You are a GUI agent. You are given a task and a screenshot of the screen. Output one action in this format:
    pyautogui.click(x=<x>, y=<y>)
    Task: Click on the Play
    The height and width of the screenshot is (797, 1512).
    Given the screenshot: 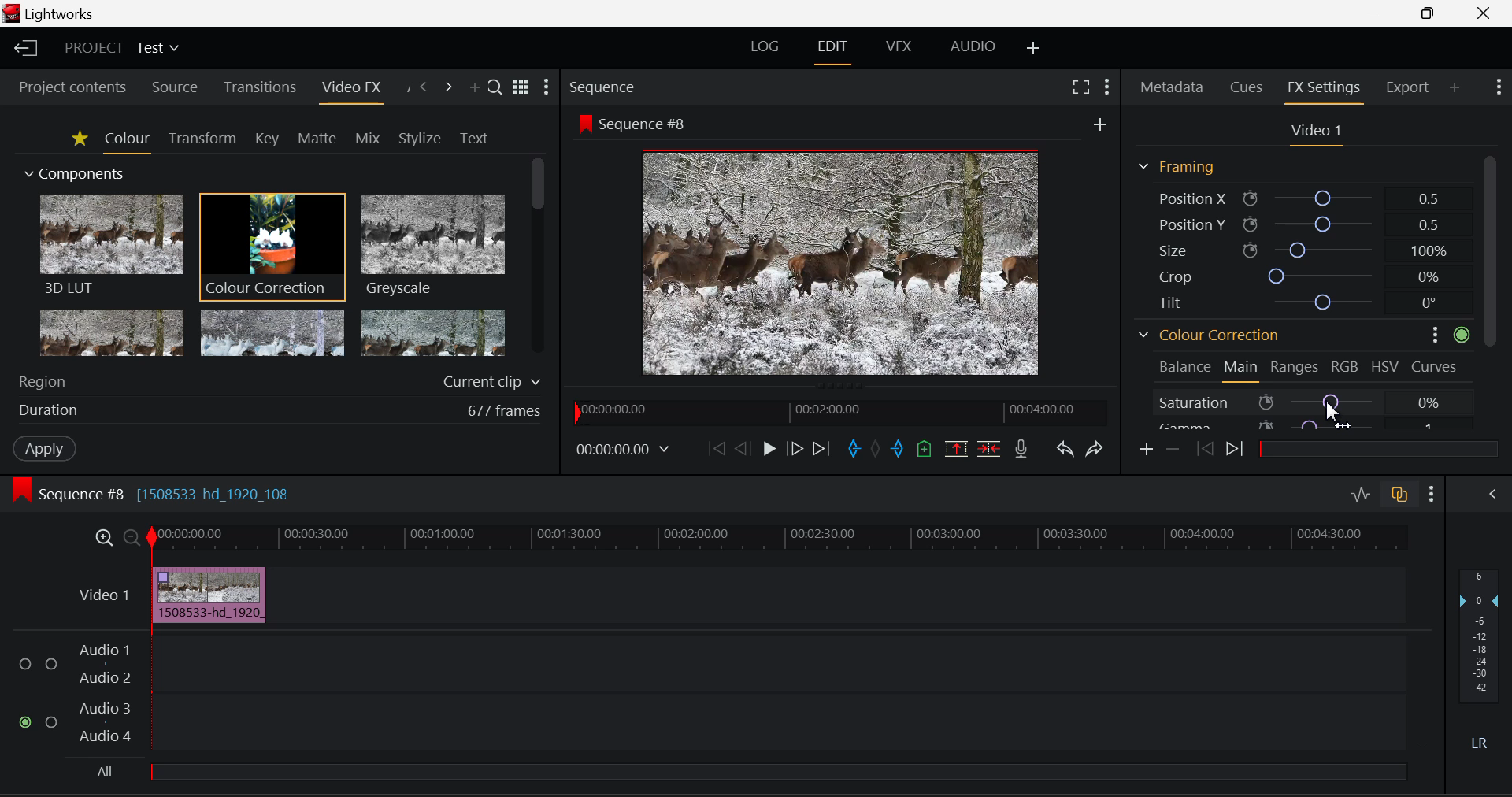 What is the action you would take?
    pyautogui.click(x=767, y=450)
    